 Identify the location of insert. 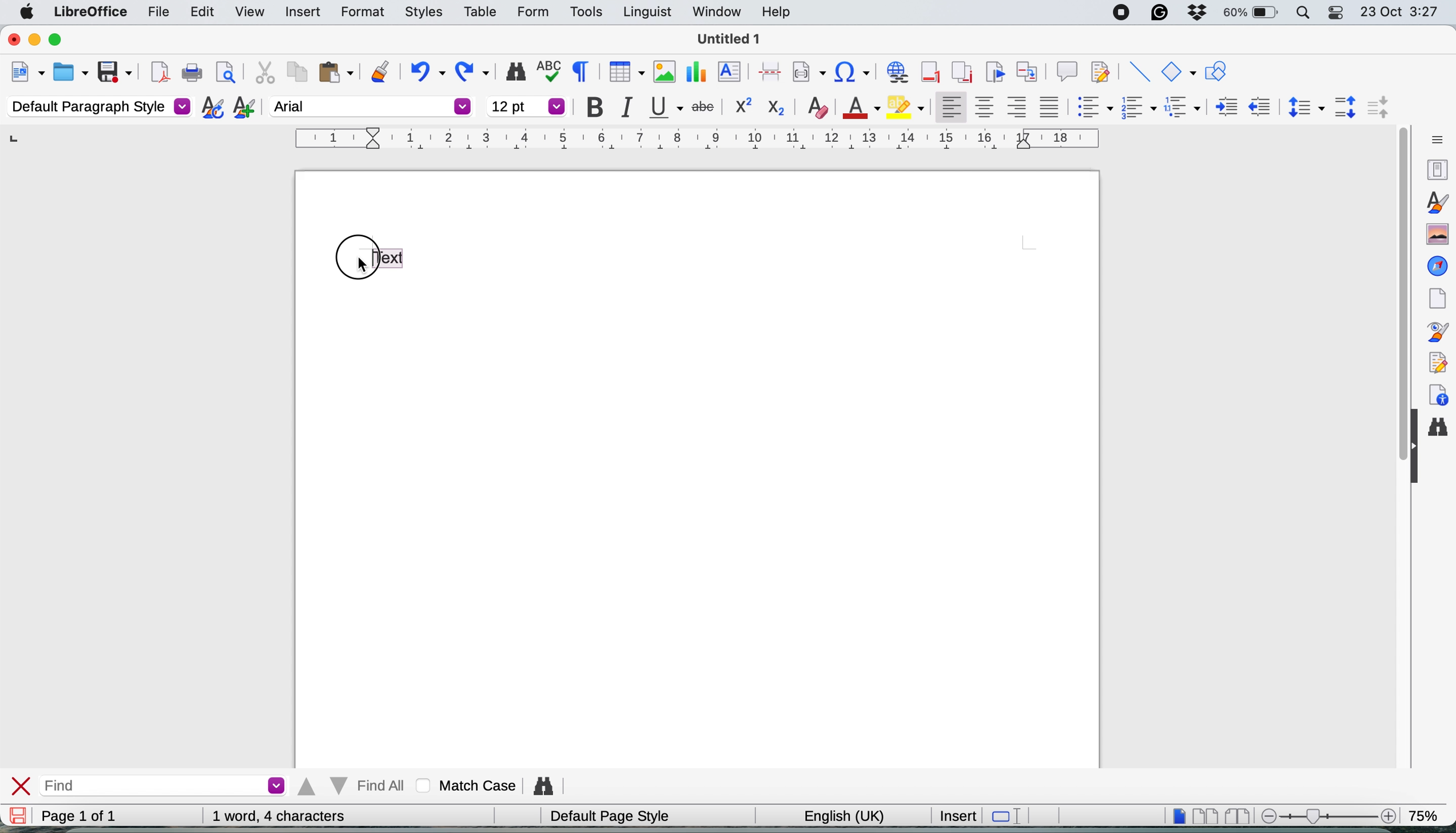
(299, 10).